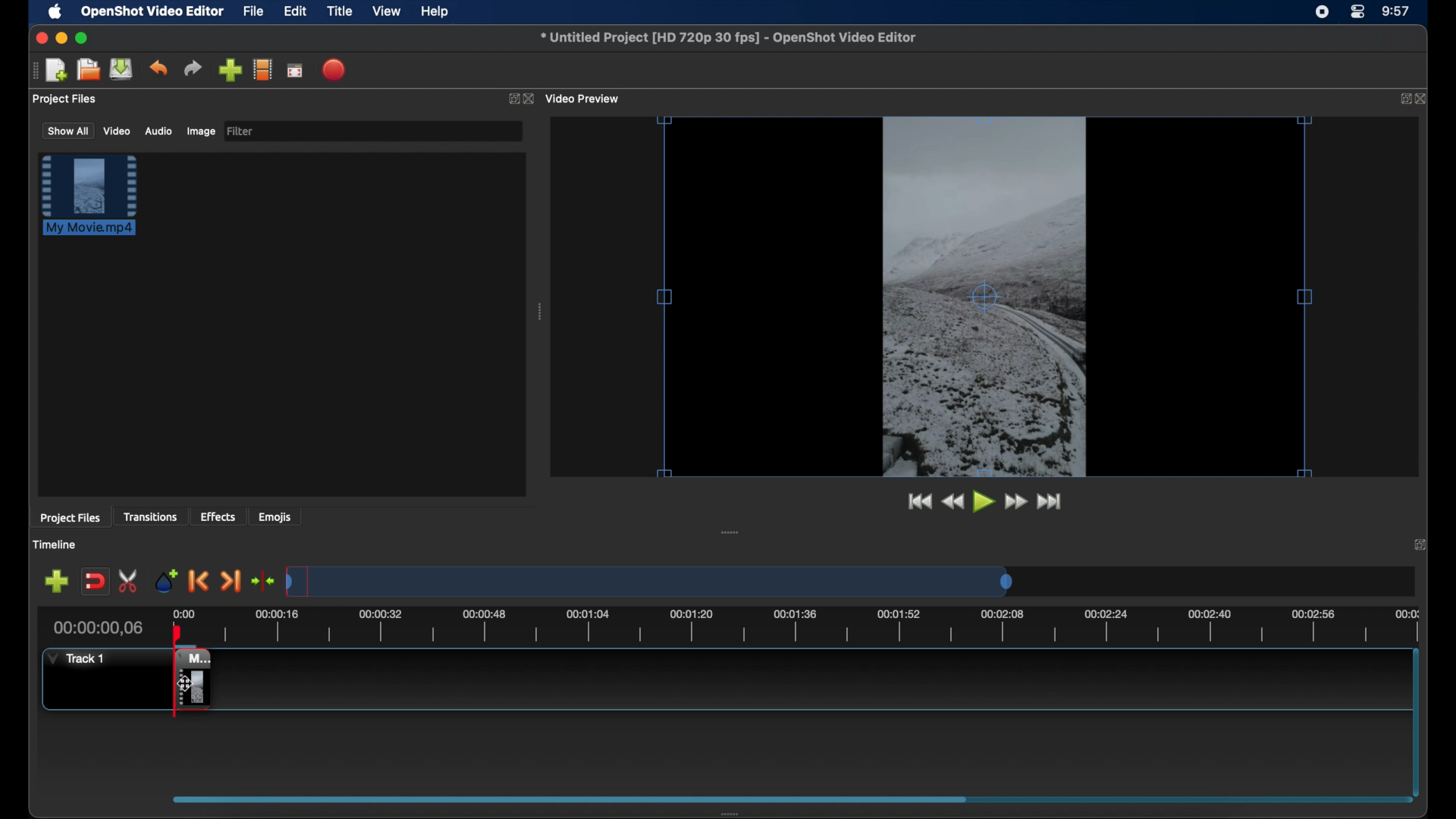  I want to click on new project, so click(58, 71).